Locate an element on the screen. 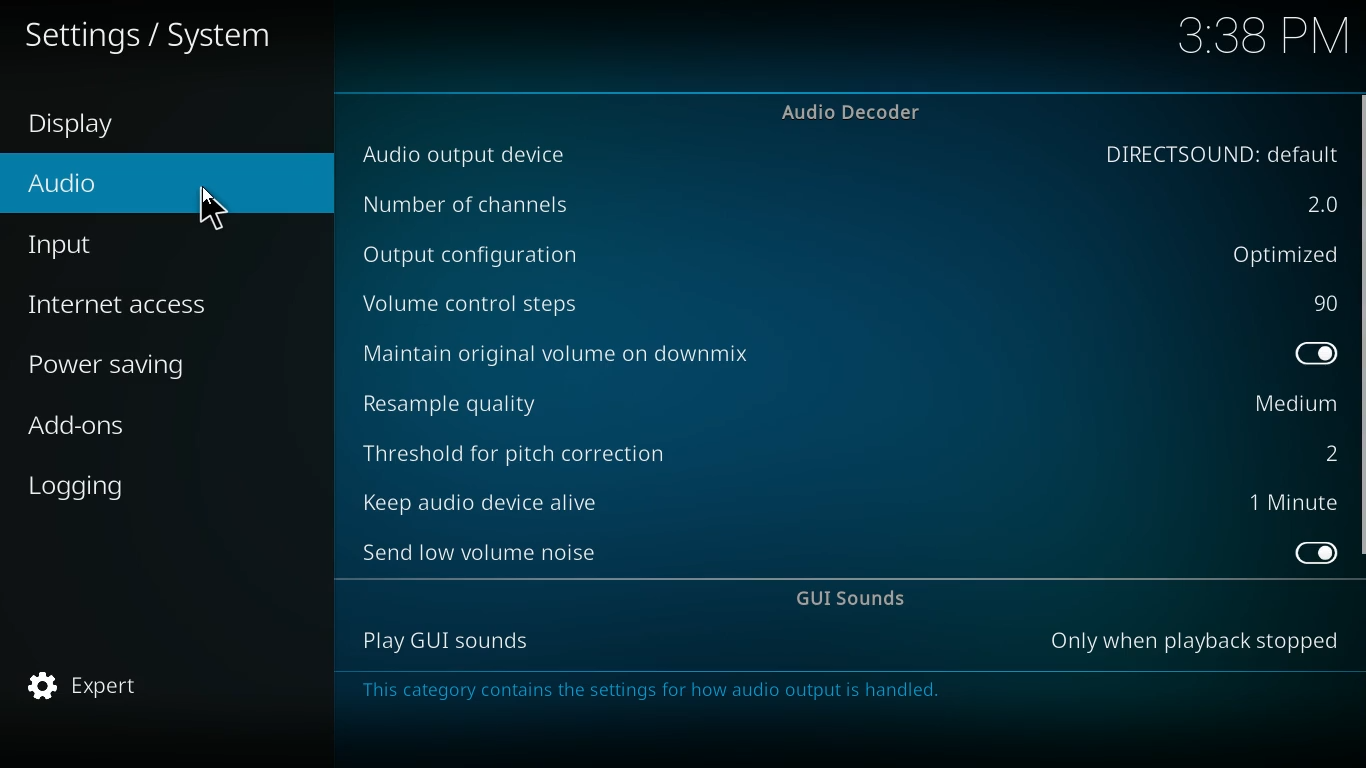 Image resolution: width=1366 pixels, height=768 pixels. logging is located at coordinates (136, 482).